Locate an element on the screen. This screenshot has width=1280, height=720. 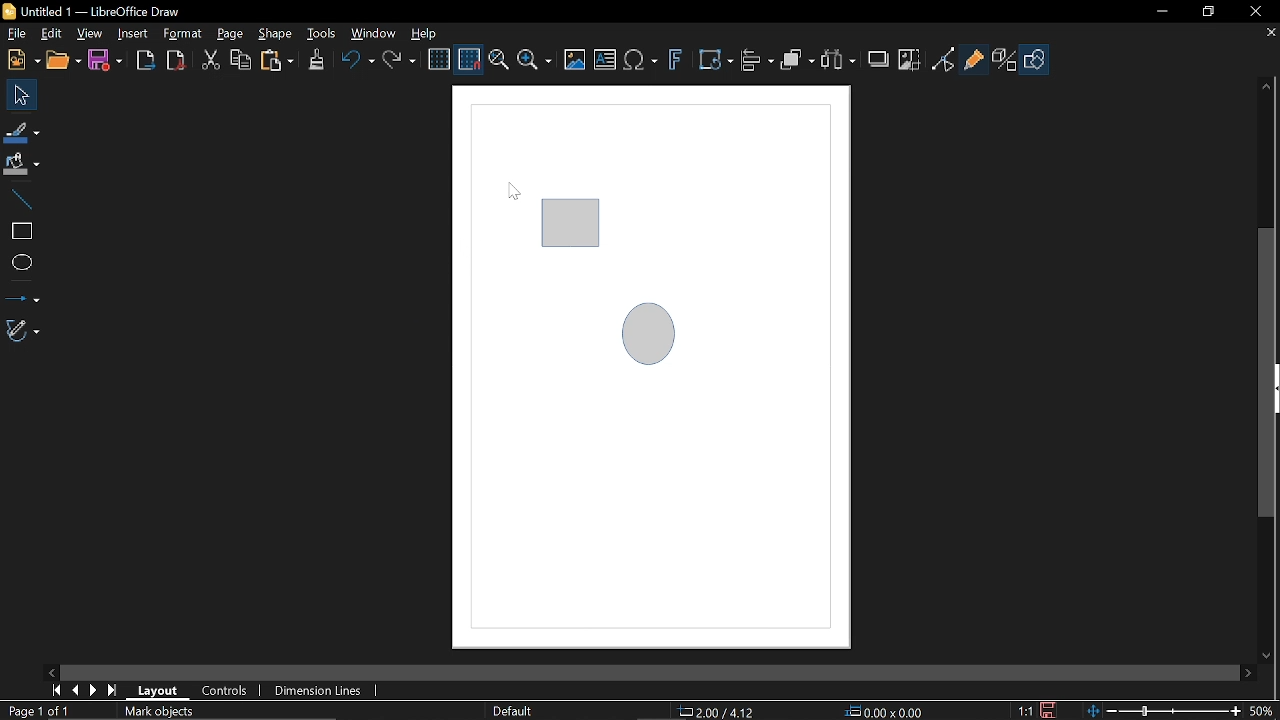
Move right is located at coordinates (1250, 674).